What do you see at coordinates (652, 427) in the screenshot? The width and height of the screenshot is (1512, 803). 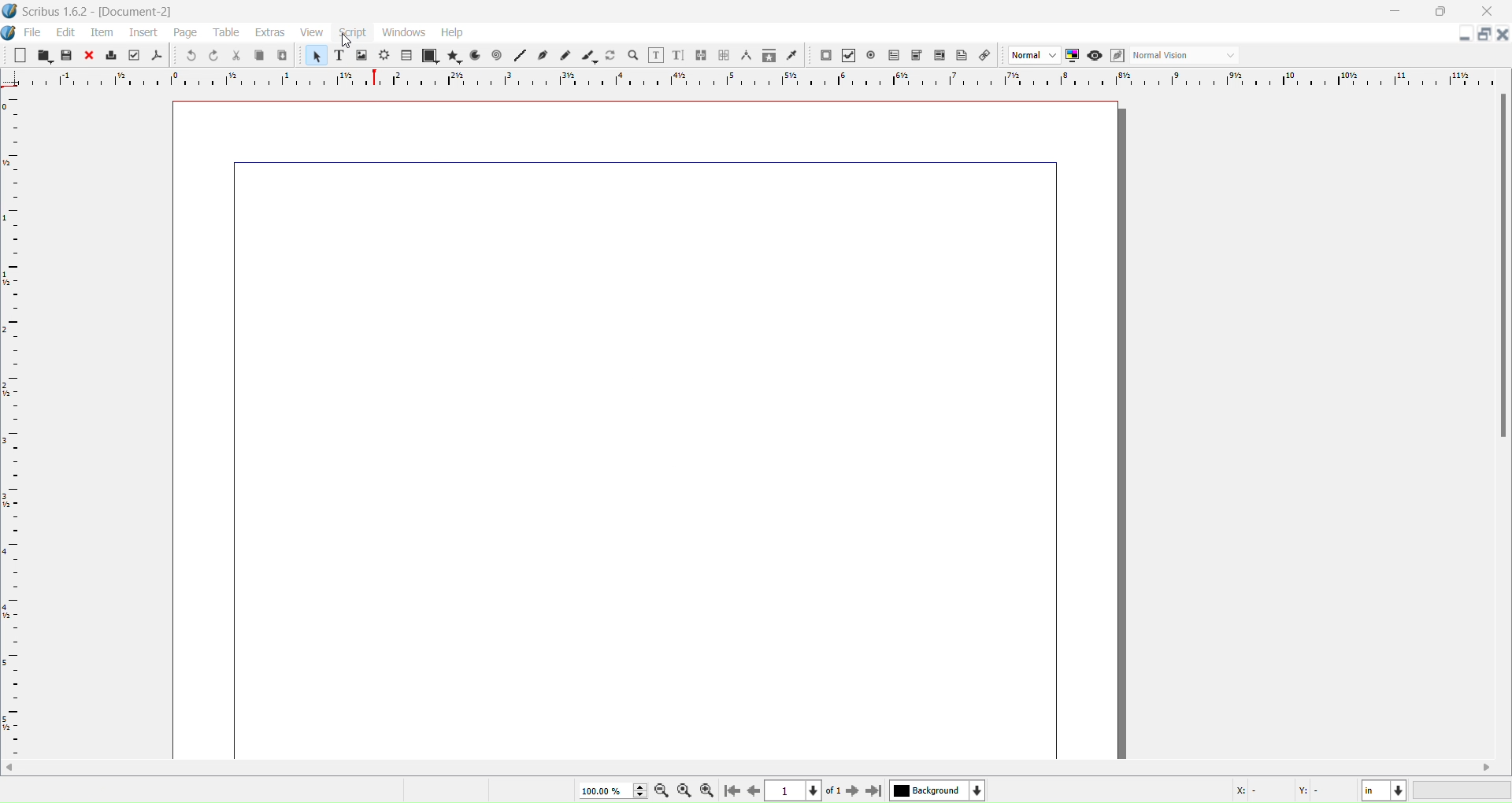 I see `Current page` at bounding box center [652, 427].